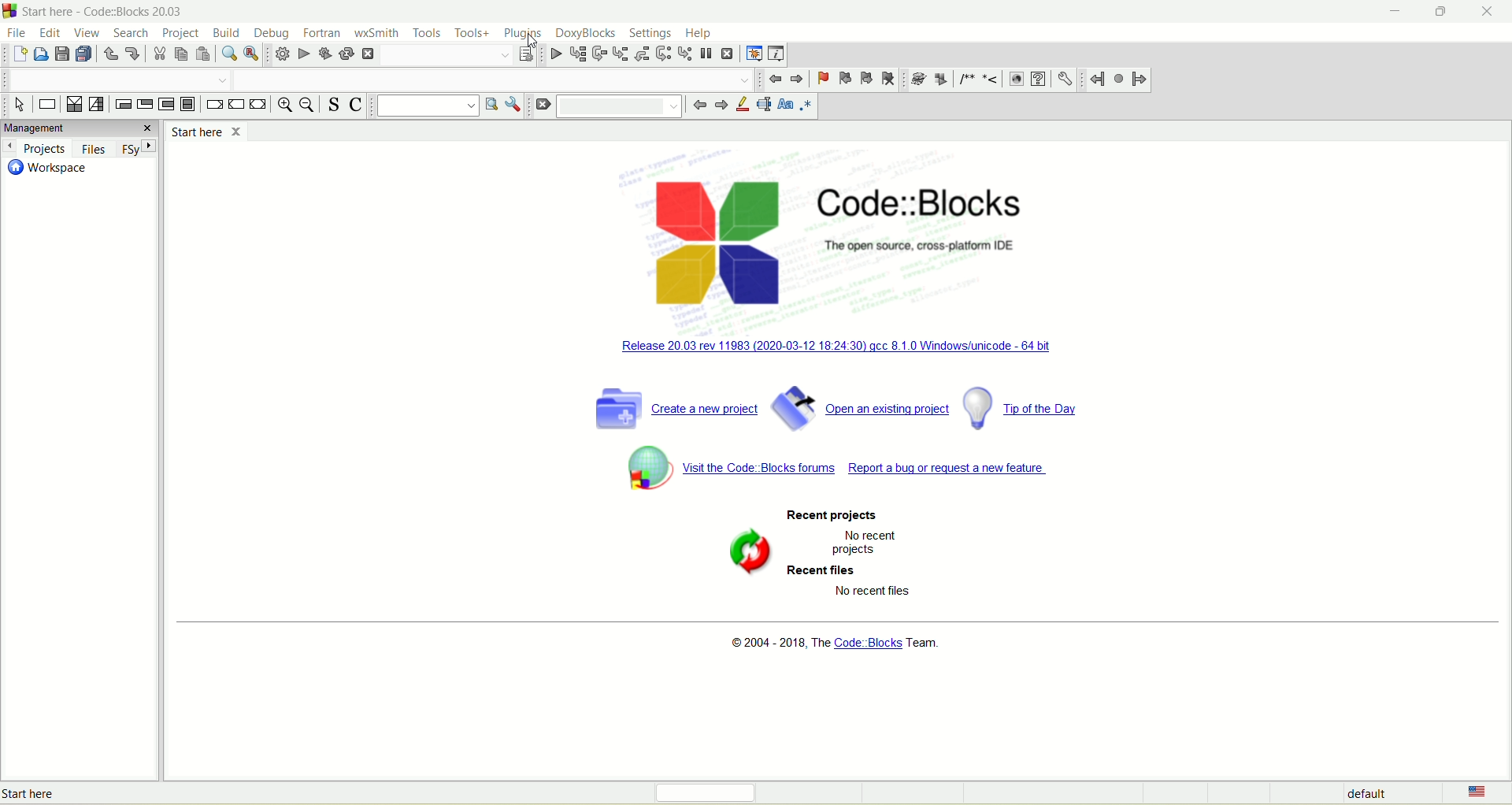 This screenshot has height=805, width=1512. I want to click on Logo, so click(745, 554).